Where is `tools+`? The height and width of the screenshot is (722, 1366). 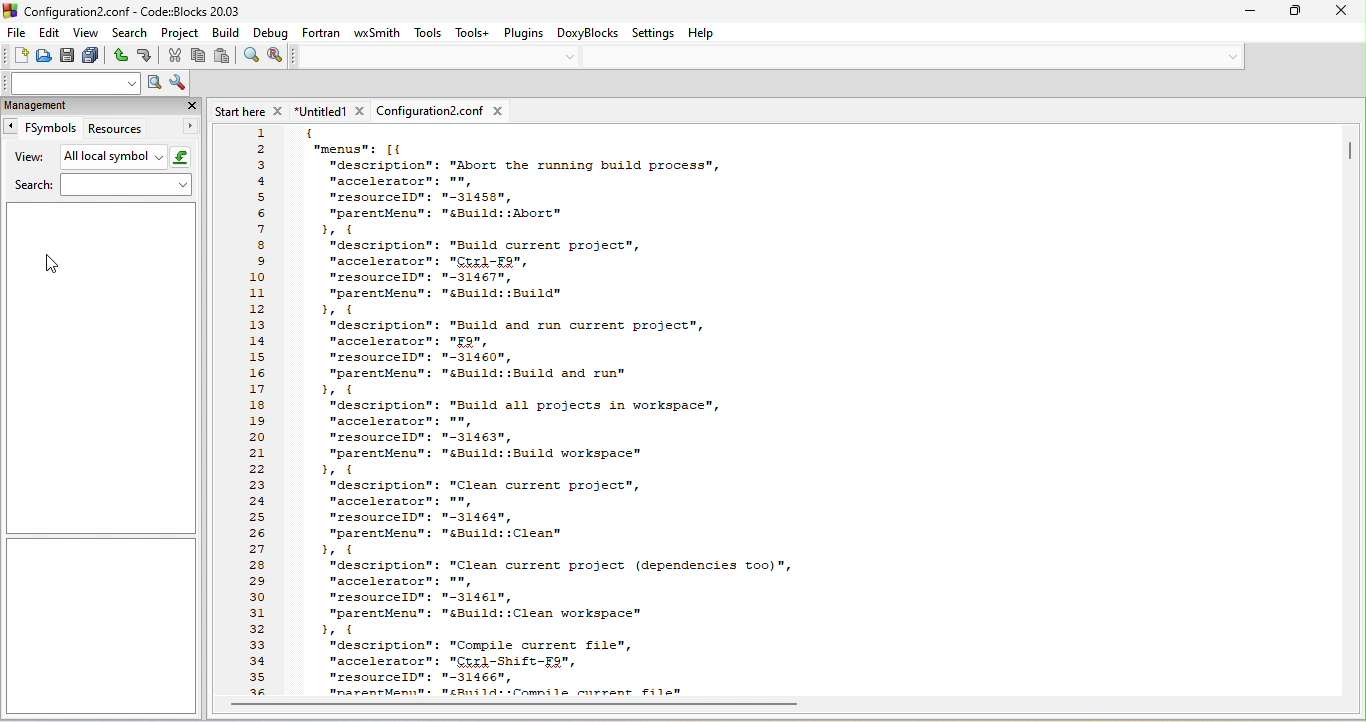 tools+ is located at coordinates (473, 34).